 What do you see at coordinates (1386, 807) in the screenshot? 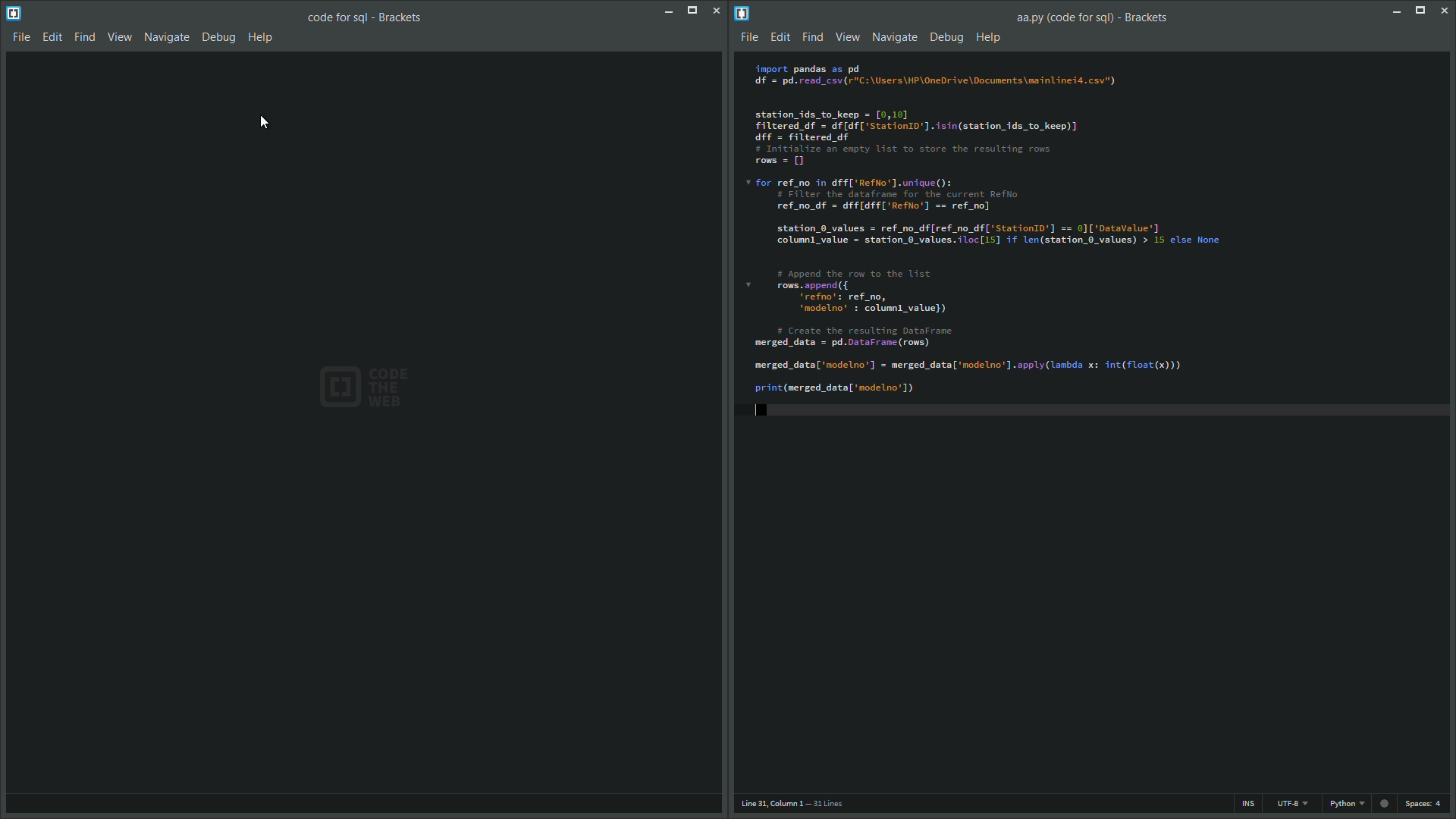
I see `circle` at bounding box center [1386, 807].